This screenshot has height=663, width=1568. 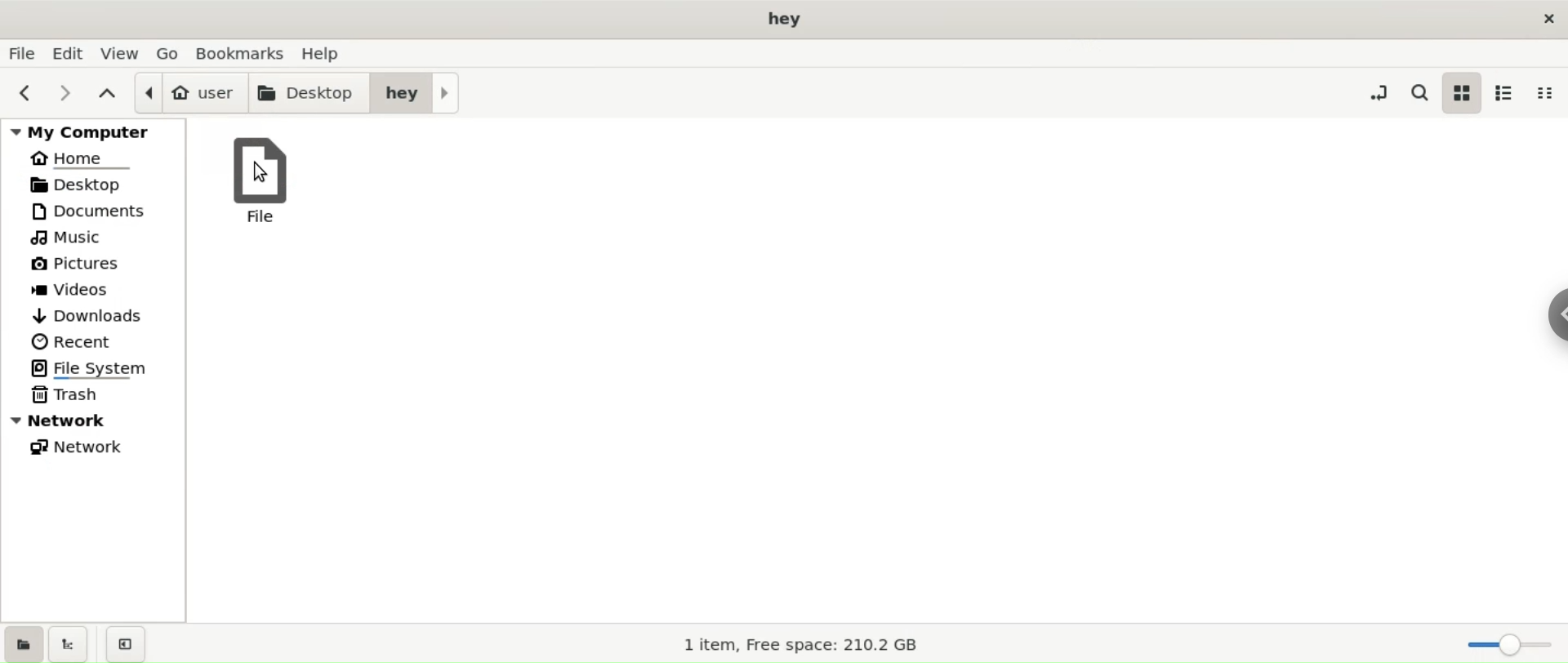 What do you see at coordinates (93, 187) in the screenshot?
I see `desktop` at bounding box center [93, 187].